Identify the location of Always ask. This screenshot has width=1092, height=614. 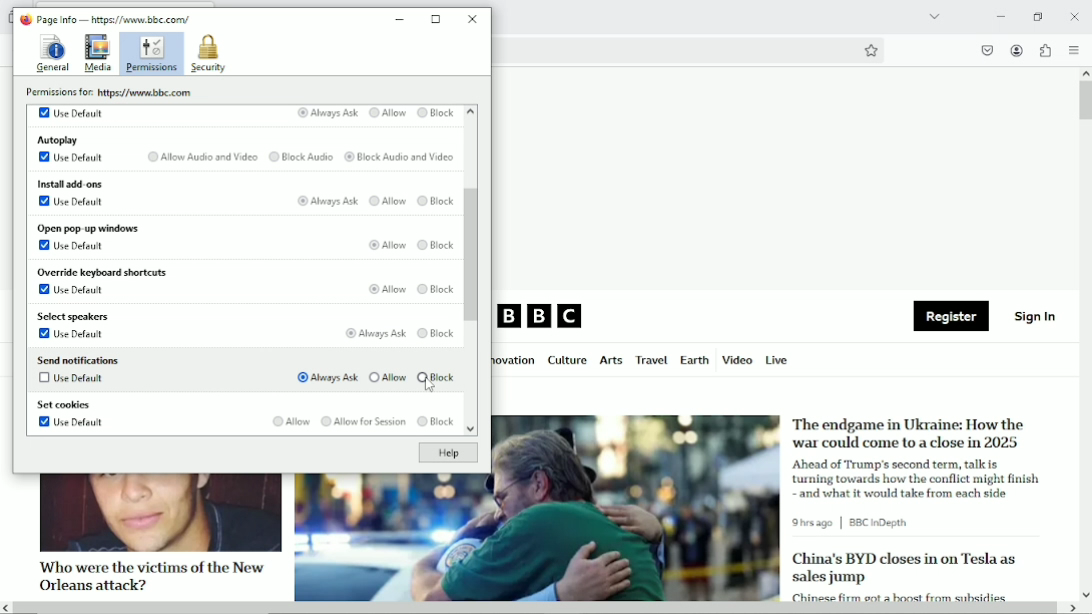
(373, 333).